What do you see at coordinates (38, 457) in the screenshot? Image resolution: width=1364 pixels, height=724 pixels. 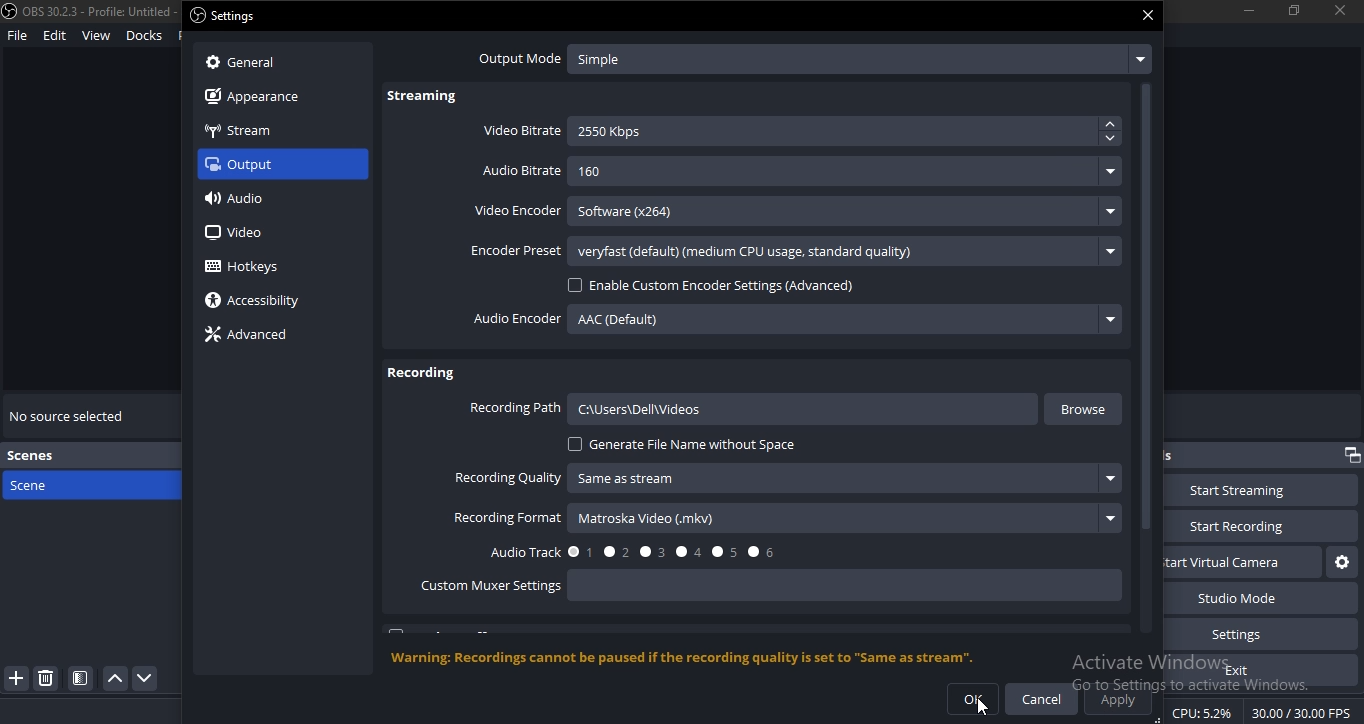 I see `scenes` at bounding box center [38, 457].